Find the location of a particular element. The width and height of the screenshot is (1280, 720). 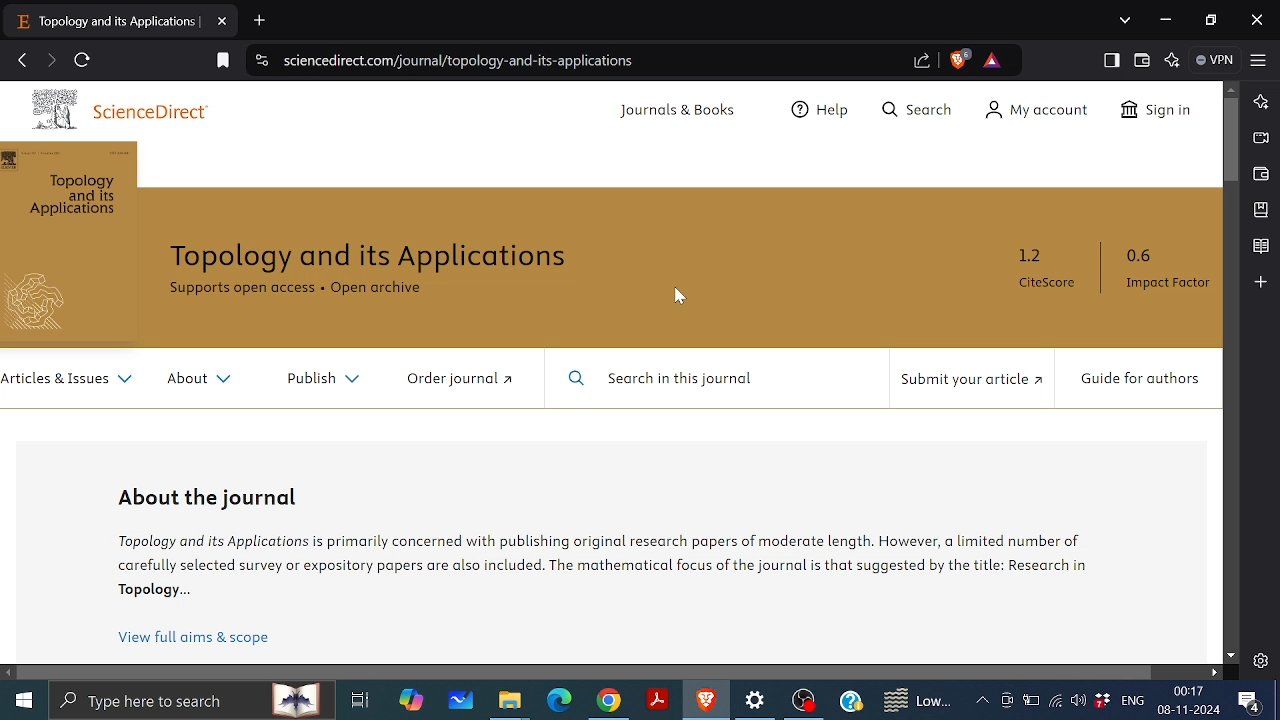

Meet now is located at coordinates (1007, 699).